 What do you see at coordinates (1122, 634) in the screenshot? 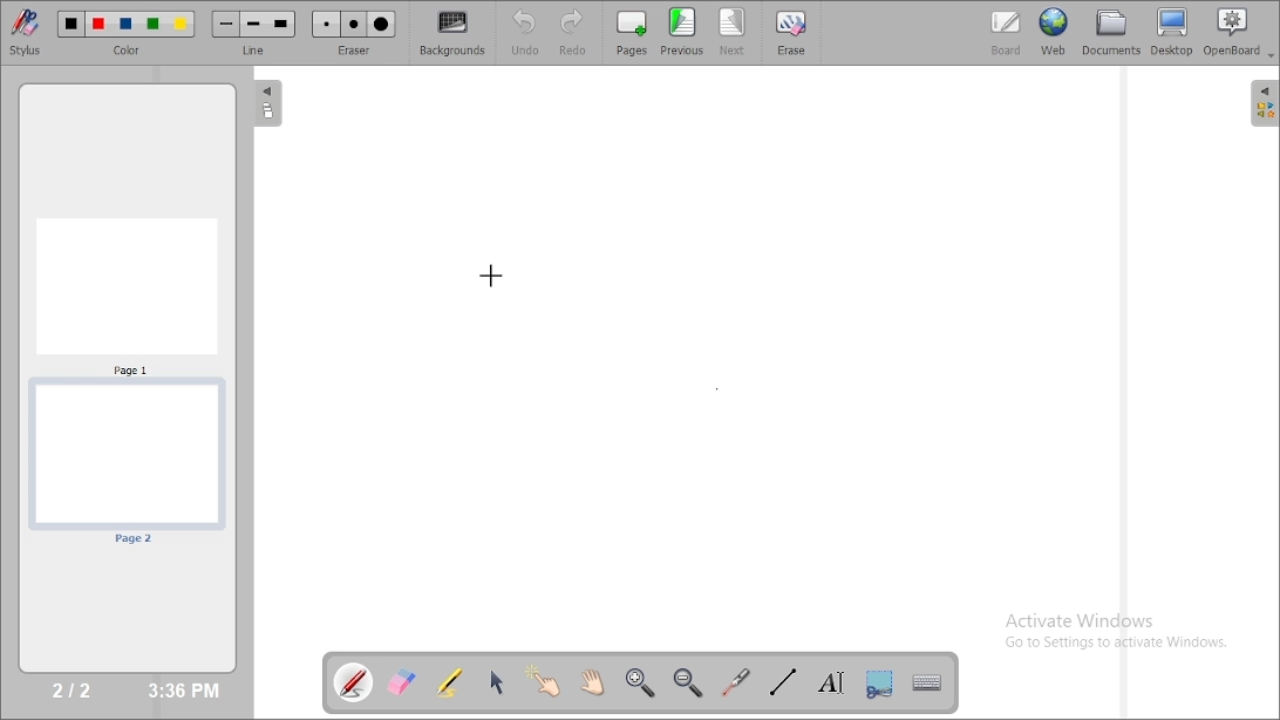
I see `Activate Windows
Go to Settings to activate Windows.` at bounding box center [1122, 634].